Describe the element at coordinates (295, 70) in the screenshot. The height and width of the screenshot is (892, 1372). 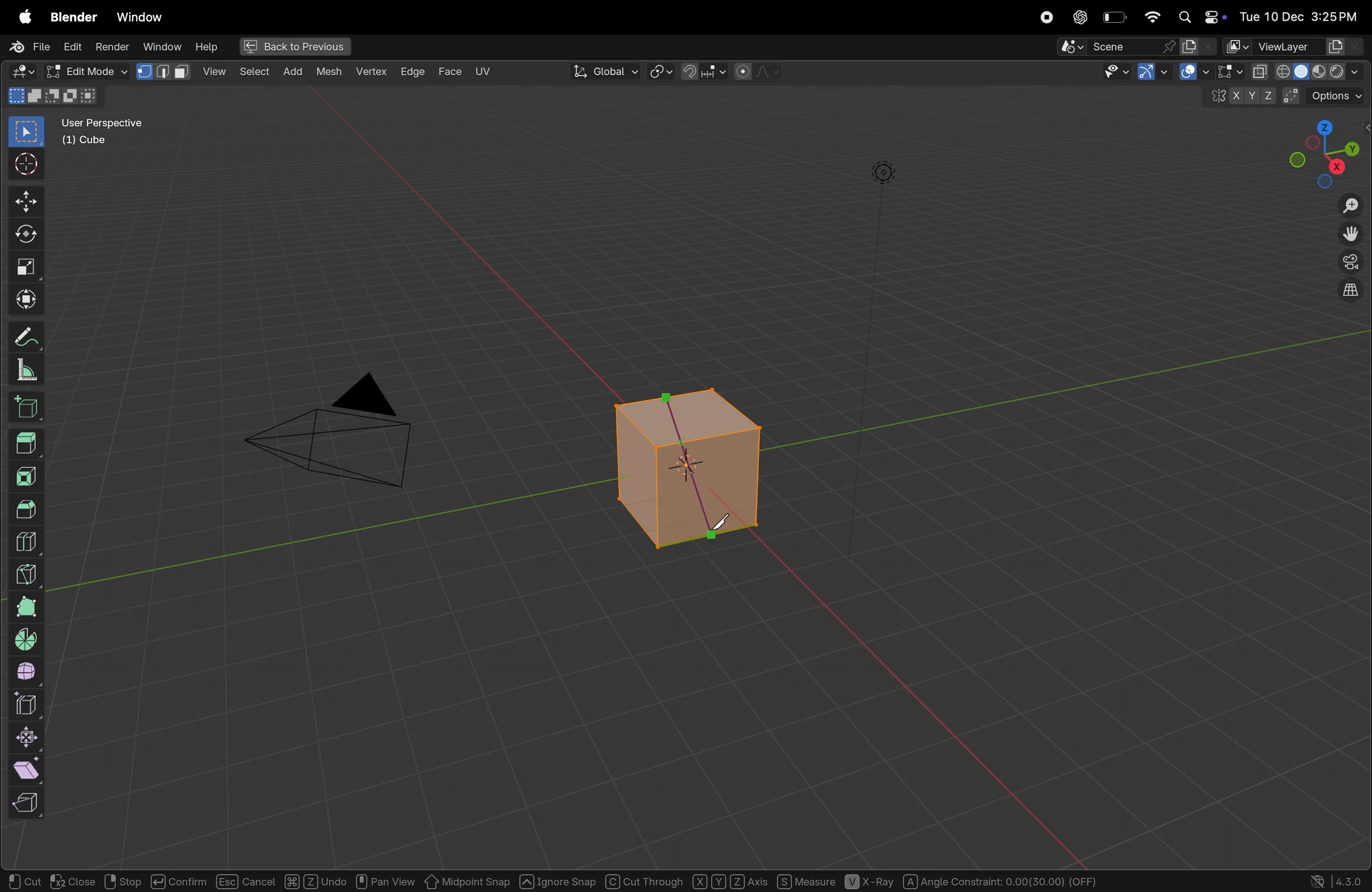
I see `Object` at that location.